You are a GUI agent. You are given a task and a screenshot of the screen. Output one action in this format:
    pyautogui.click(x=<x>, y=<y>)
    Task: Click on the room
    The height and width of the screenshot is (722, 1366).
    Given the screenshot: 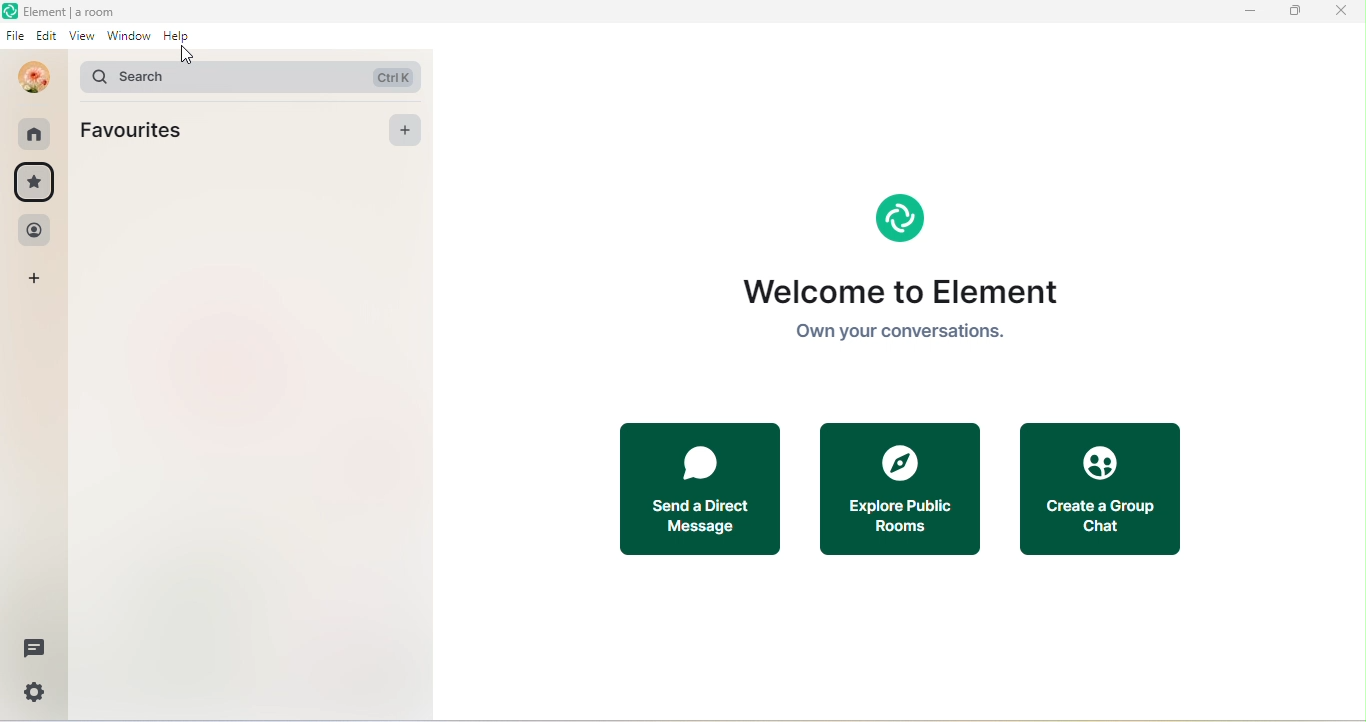 What is the action you would take?
    pyautogui.click(x=36, y=135)
    